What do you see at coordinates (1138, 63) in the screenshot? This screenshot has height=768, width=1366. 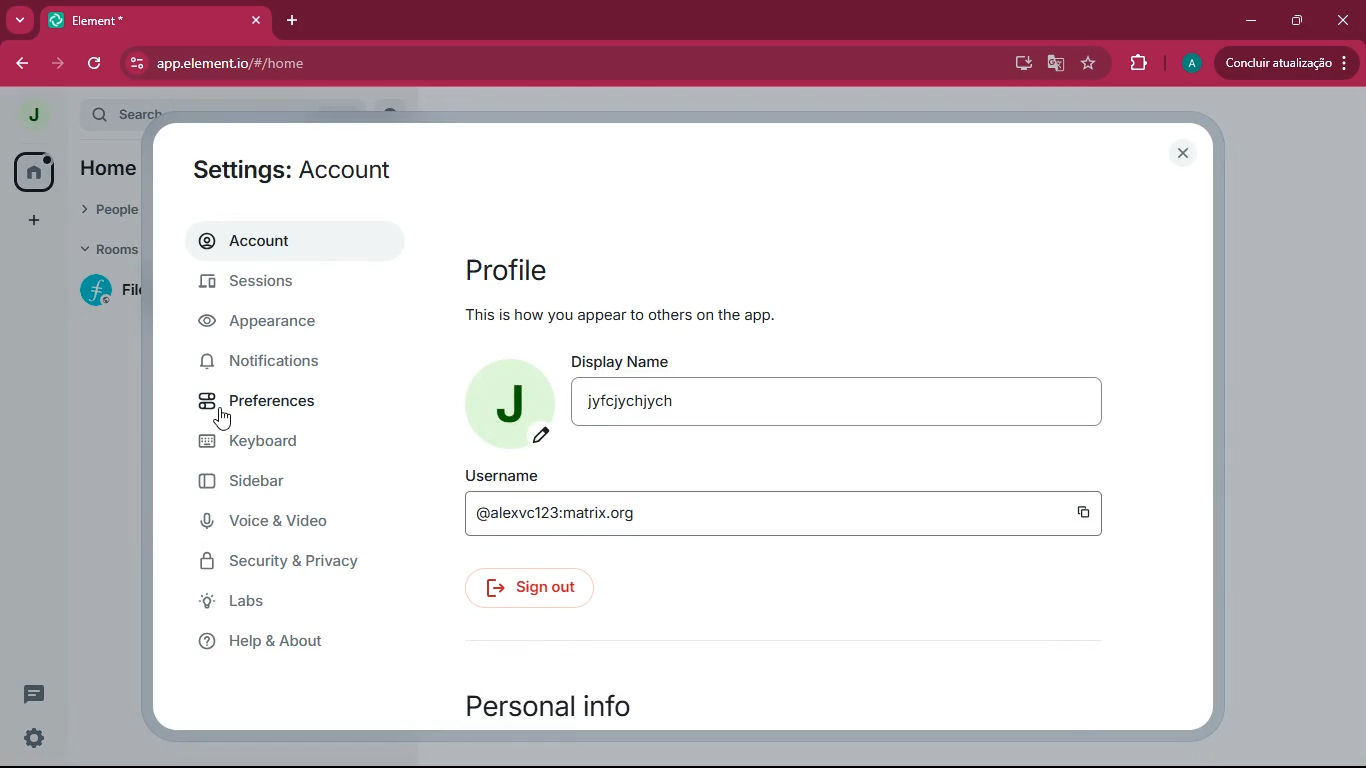 I see `extensions` at bounding box center [1138, 63].